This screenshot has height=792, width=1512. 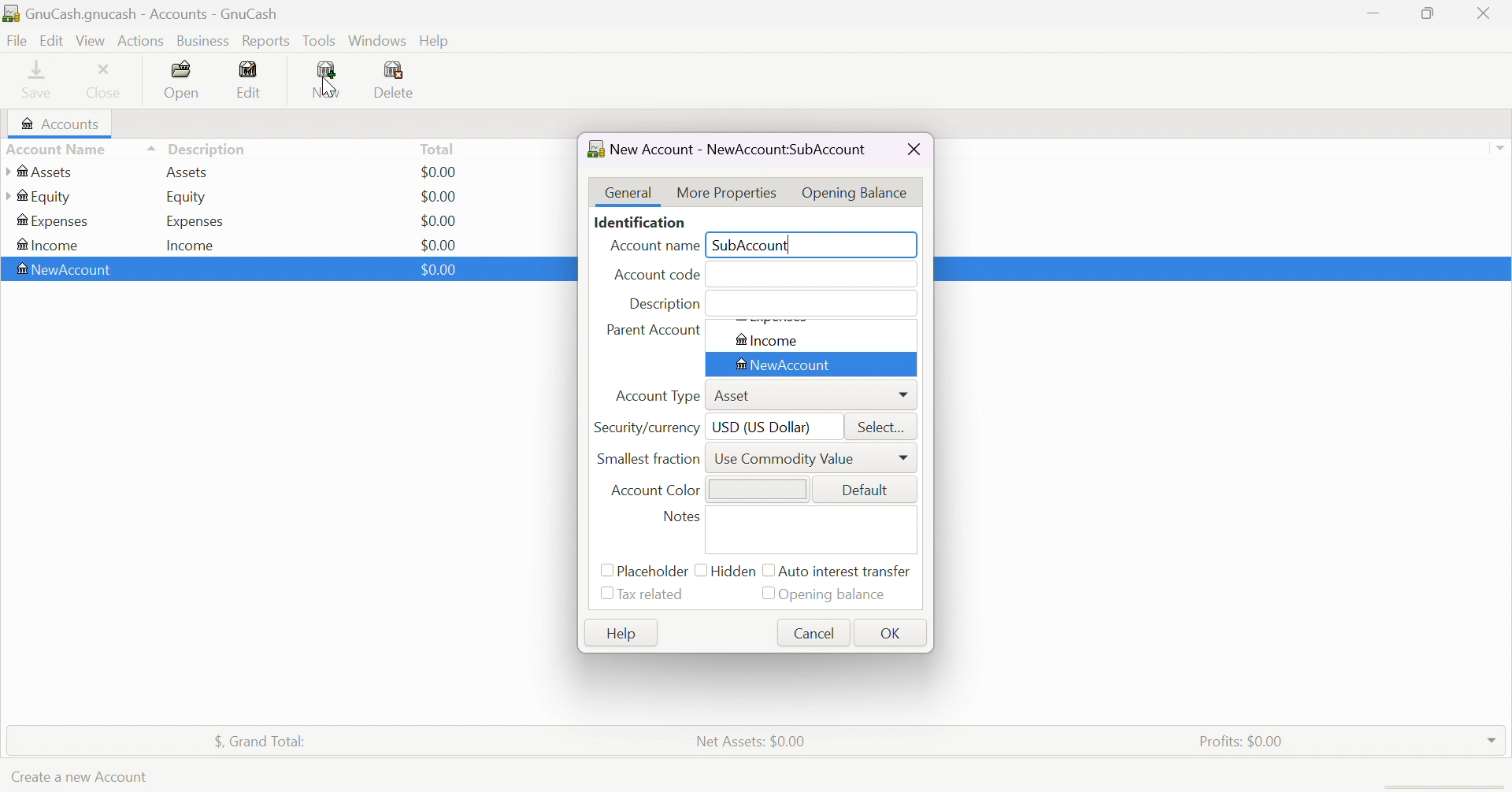 I want to click on Checkbox, so click(x=768, y=592).